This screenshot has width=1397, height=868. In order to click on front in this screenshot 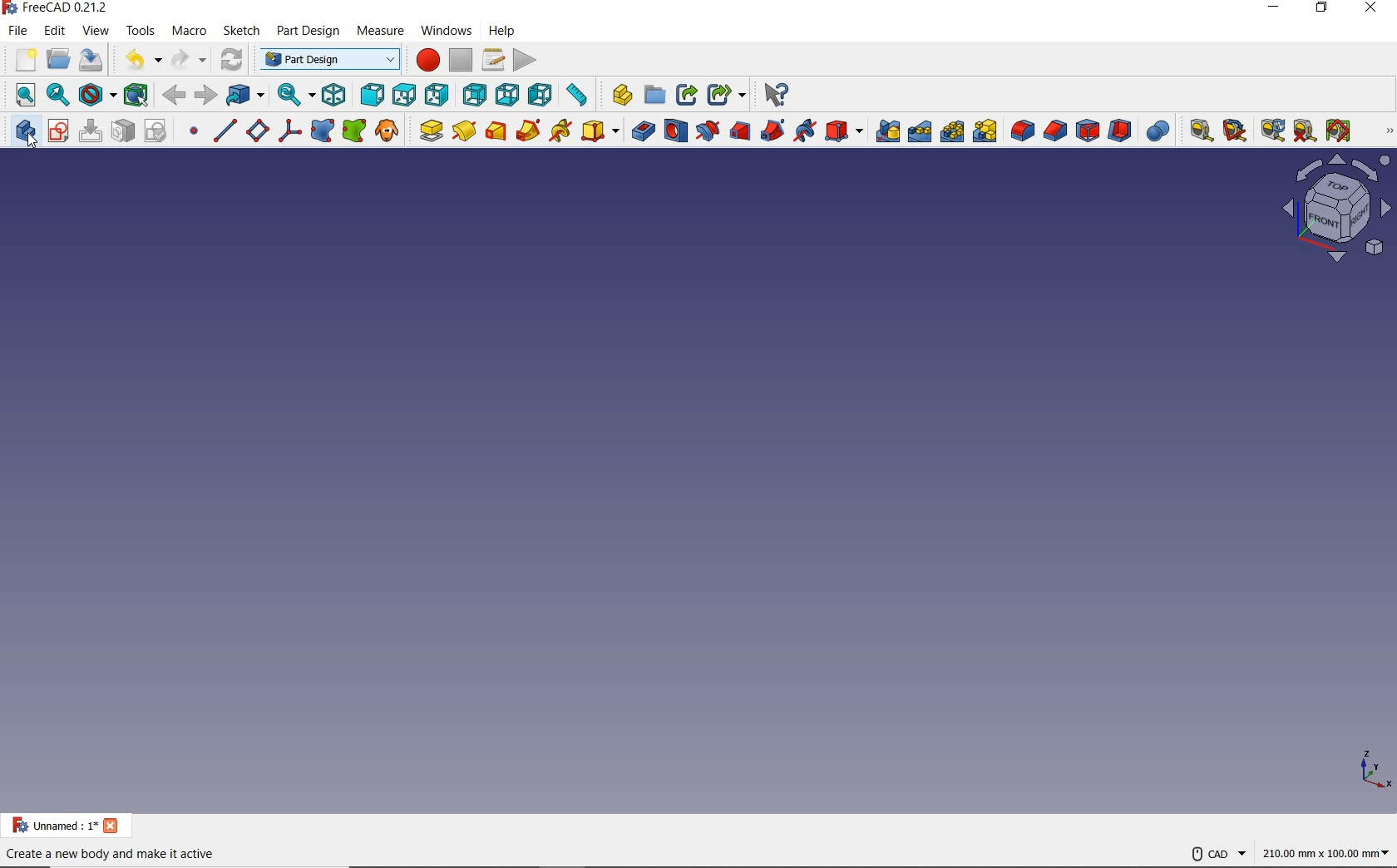, I will do `click(371, 95)`.